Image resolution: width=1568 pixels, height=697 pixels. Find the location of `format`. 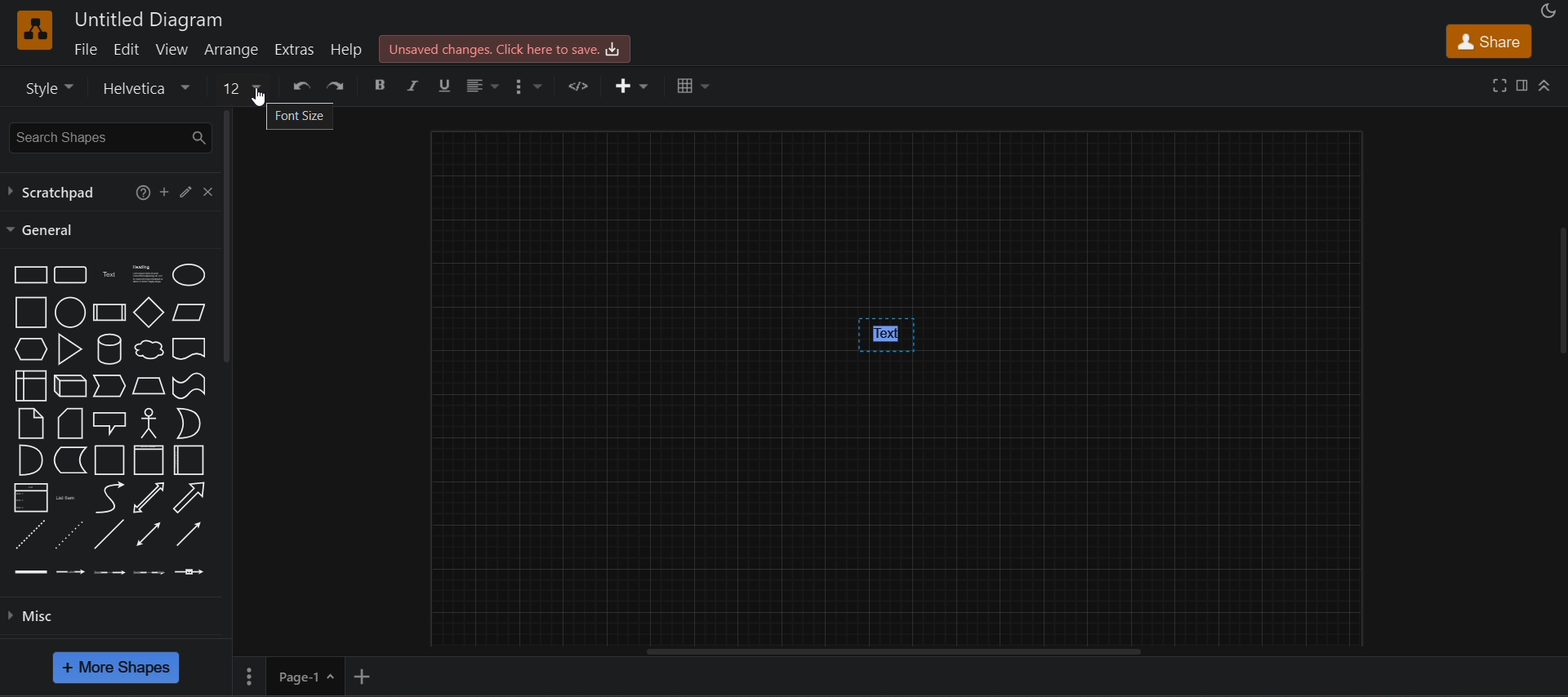

format is located at coordinates (1521, 85).